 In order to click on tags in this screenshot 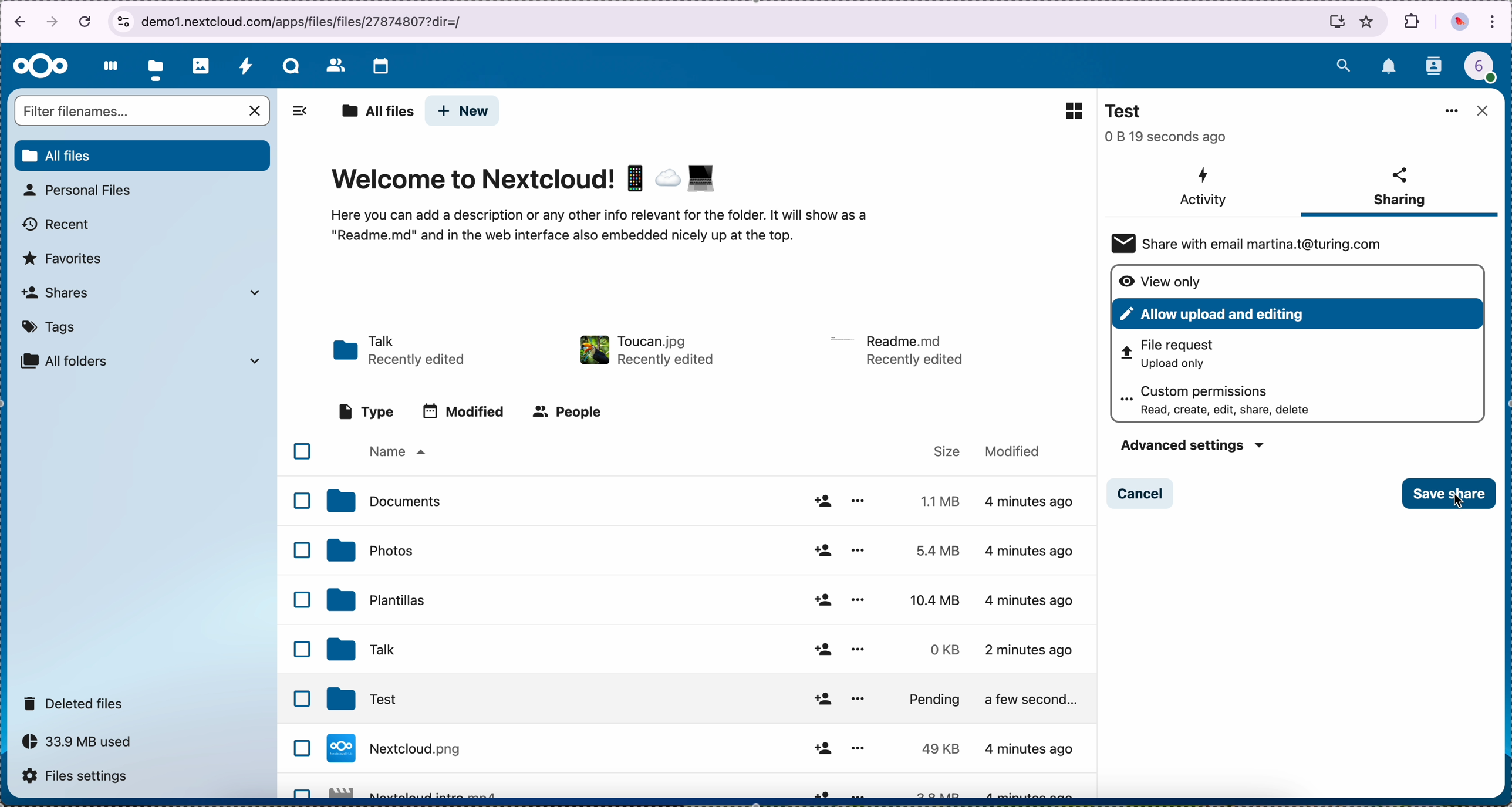, I will do `click(50, 327)`.